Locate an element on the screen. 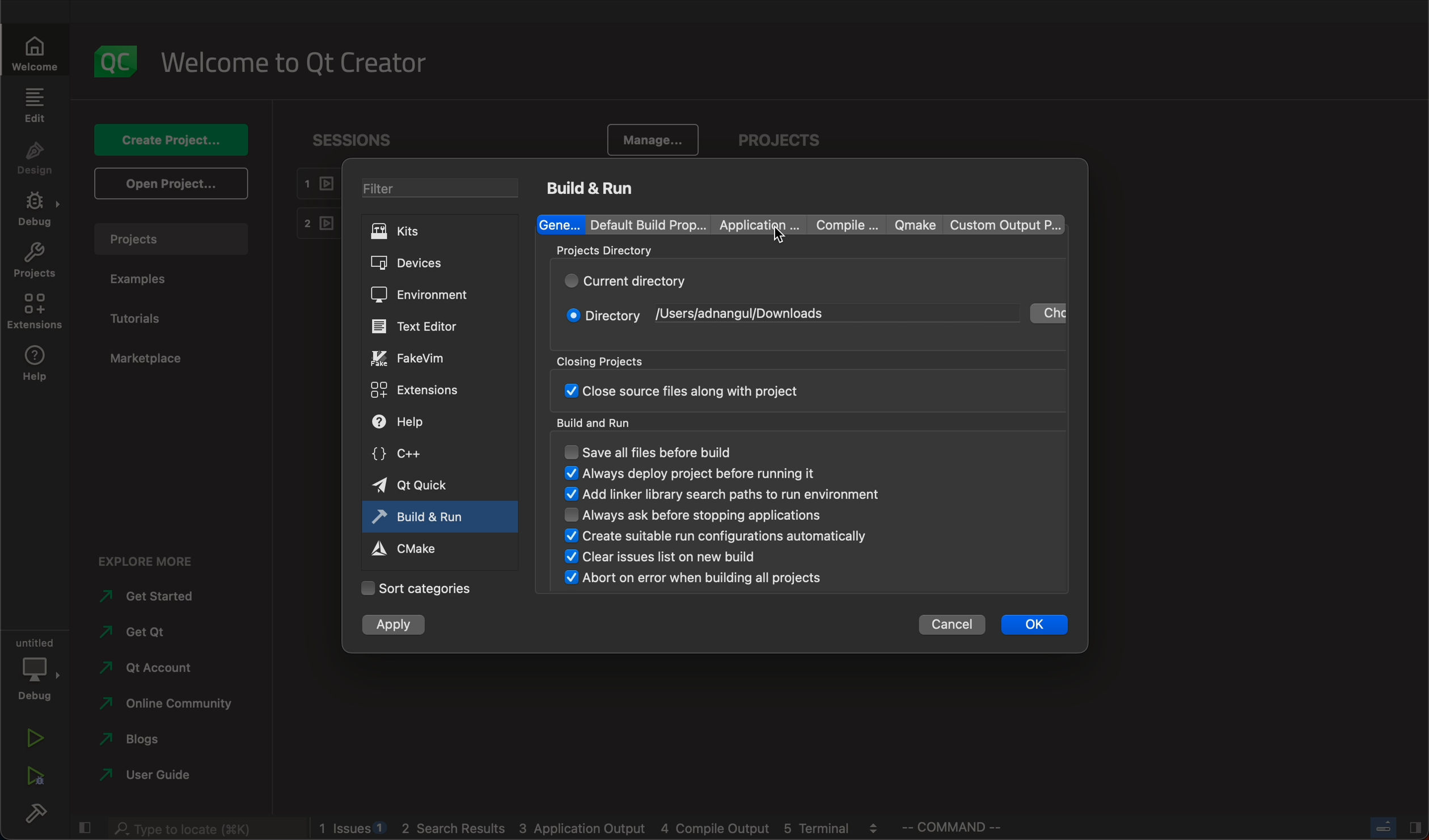 The height and width of the screenshot is (840, 1429). / Abort on error when building all projects is located at coordinates (694, 578).